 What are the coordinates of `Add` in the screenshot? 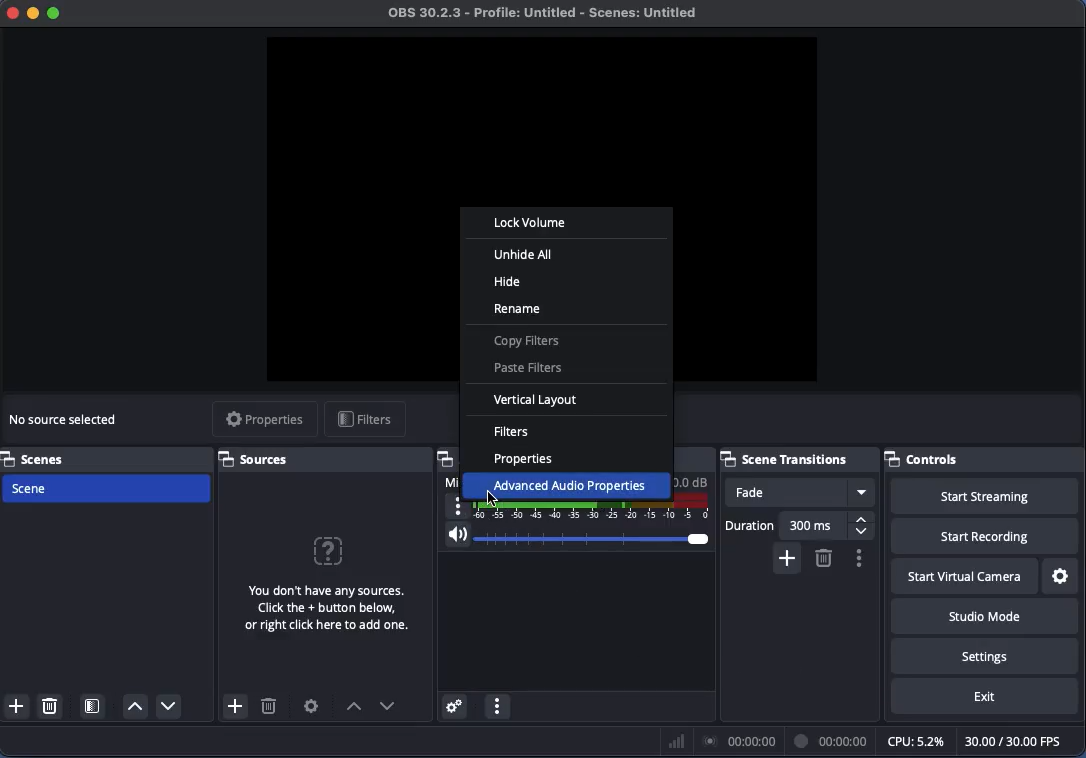 It's located at (785, 557).